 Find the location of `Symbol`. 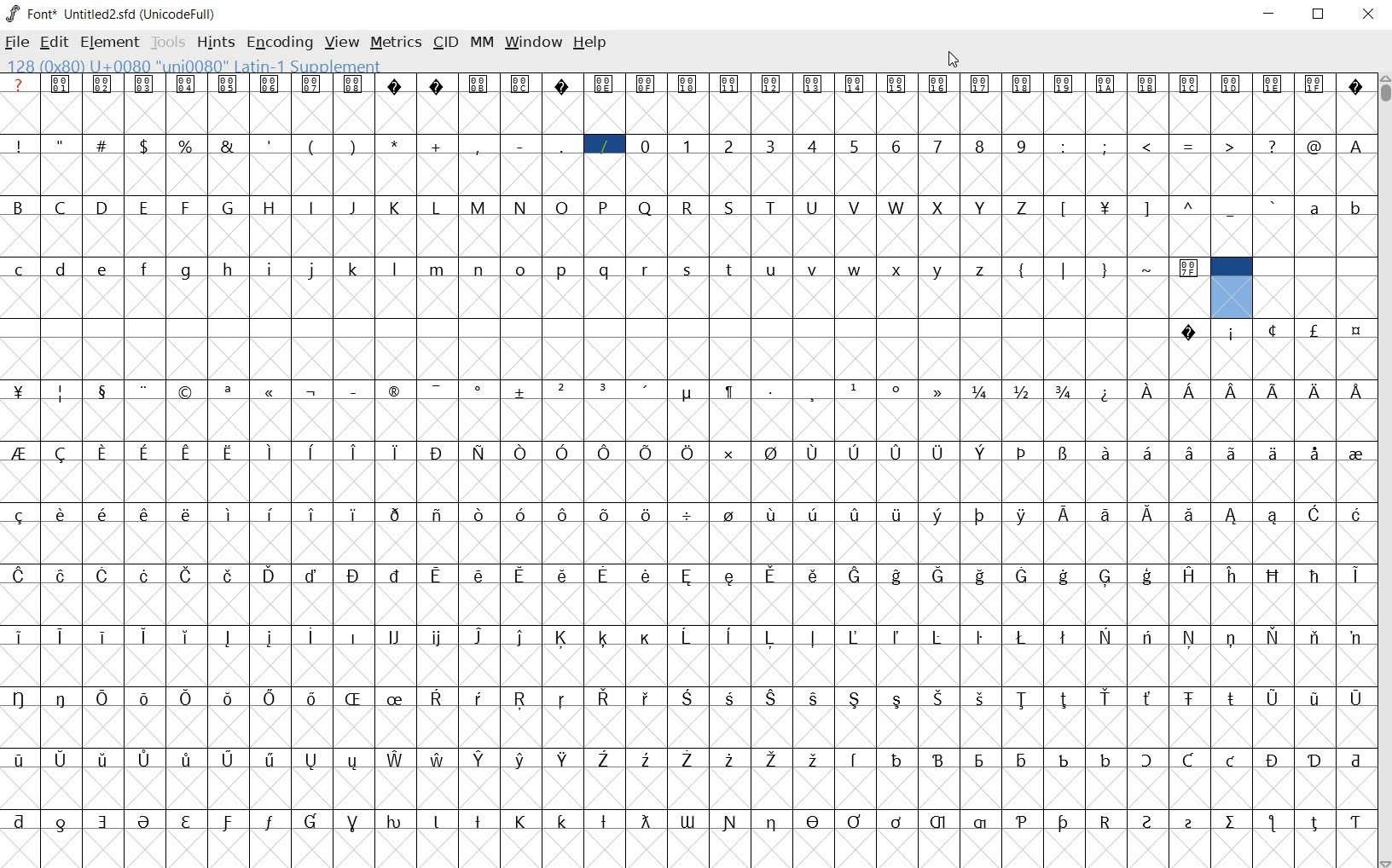

Symbol is located at coordinates (1023, 818).